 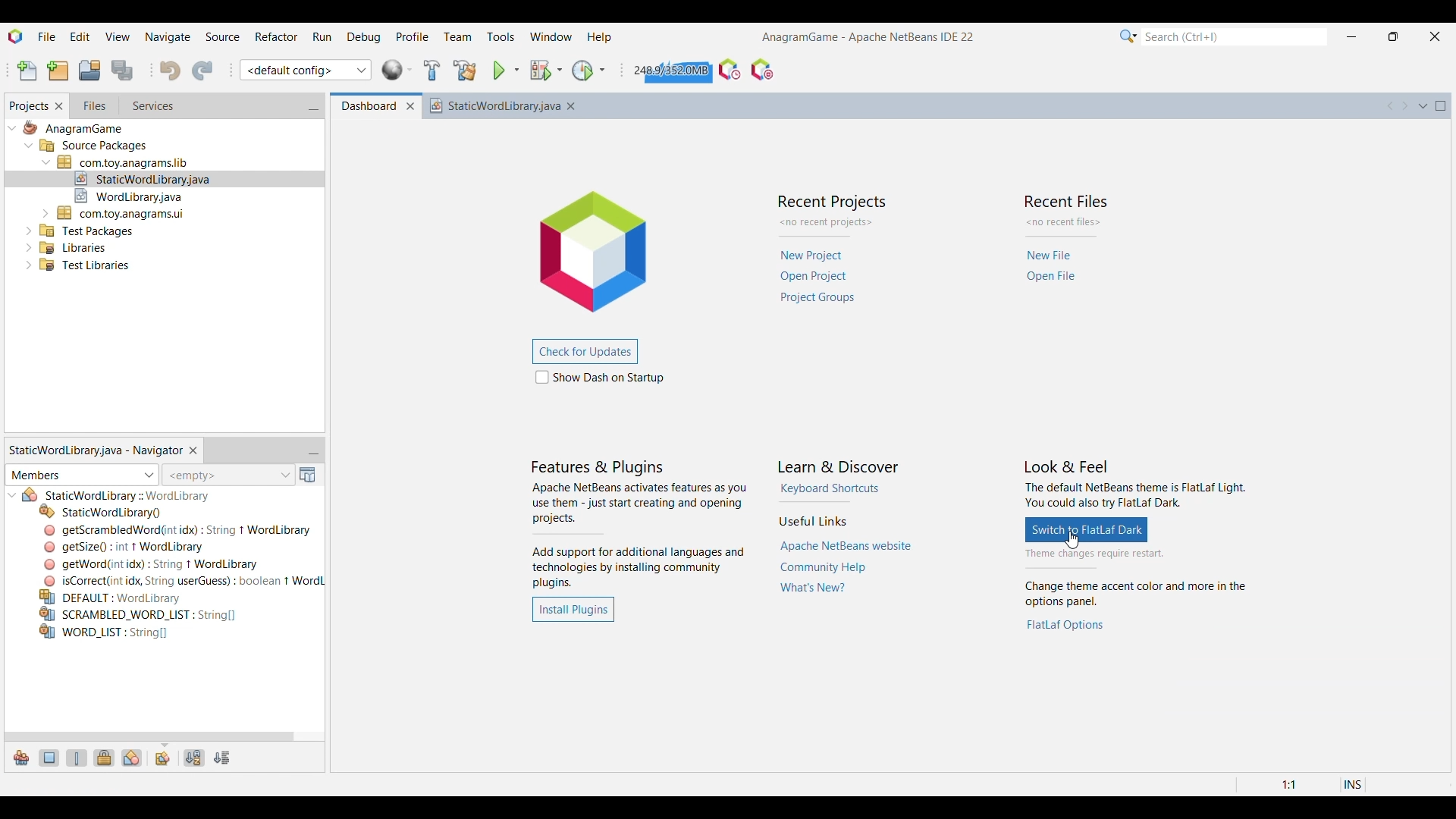 I want to click on Type in search, so click(x=1234, y=36).